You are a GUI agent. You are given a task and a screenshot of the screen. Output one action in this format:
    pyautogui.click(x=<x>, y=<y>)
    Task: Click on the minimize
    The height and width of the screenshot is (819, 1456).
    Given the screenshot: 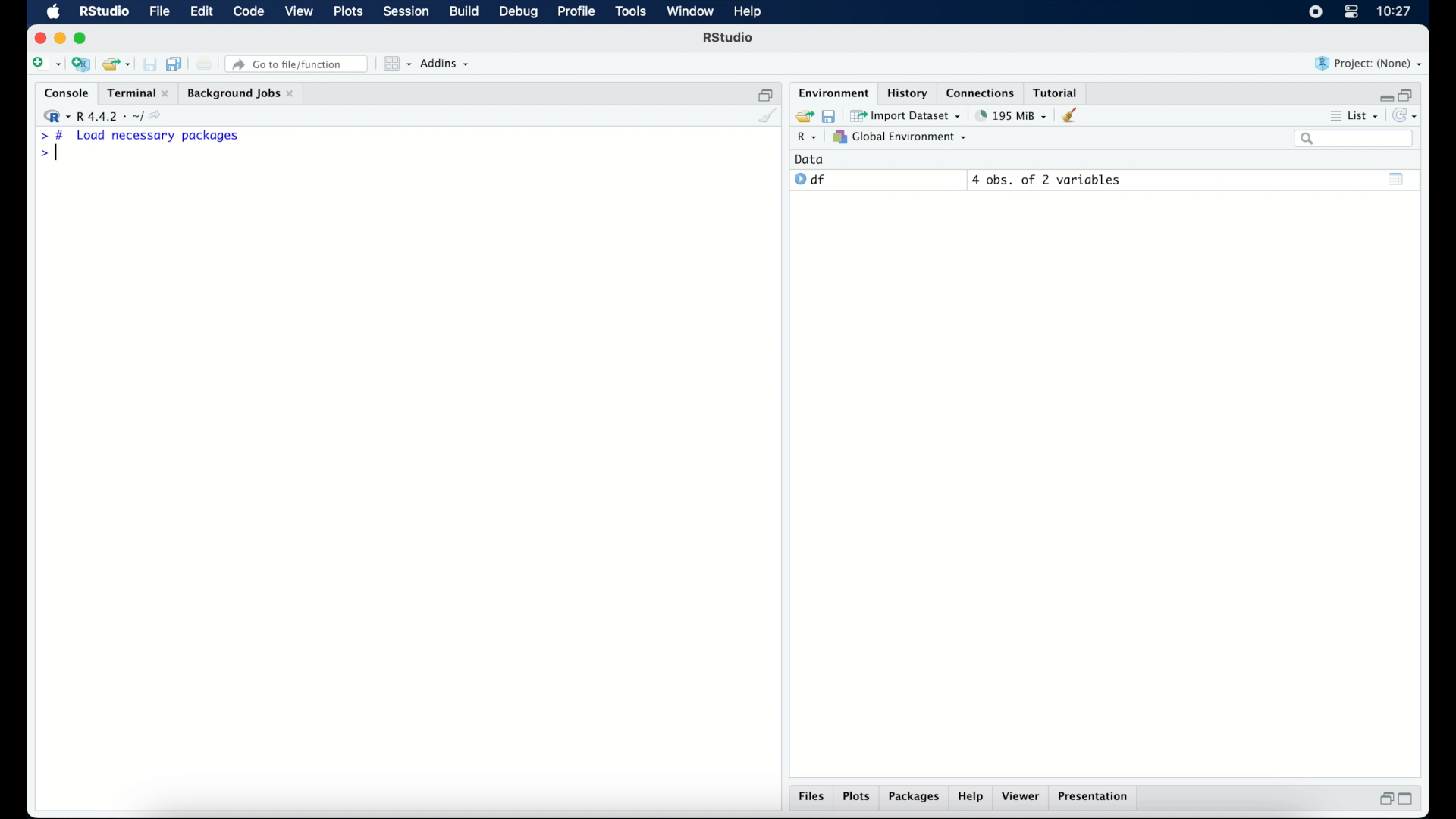 What is the action you would take?
    pyautogui.click(x=60, y=38)
    